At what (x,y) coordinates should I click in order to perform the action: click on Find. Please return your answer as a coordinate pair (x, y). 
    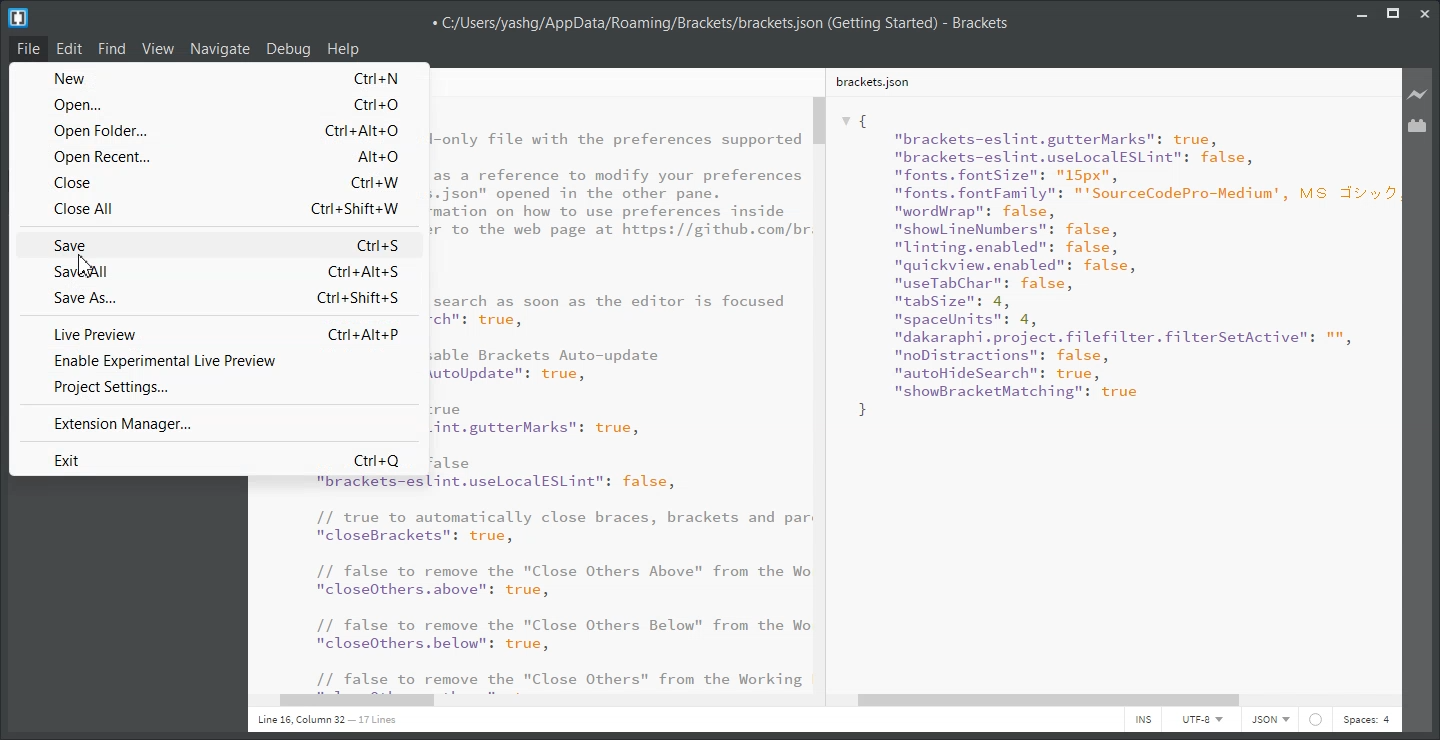
    Looking at the image, I should click on (112, 49).